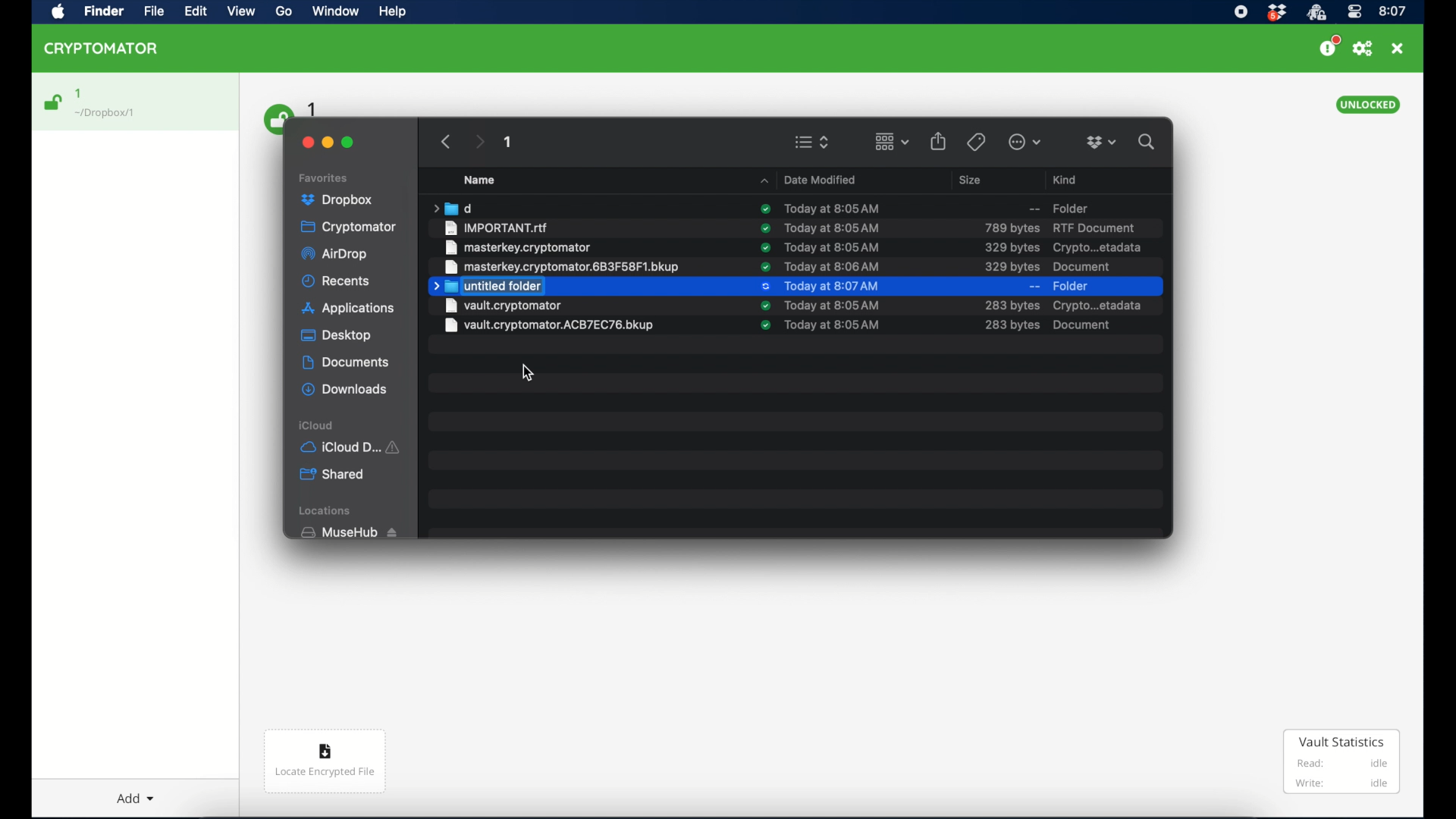 The width and height of the screenshot is (1456, 819). Describe the element at coordinates (1055, 328) in the screenshot. I see `crypto` at that location.